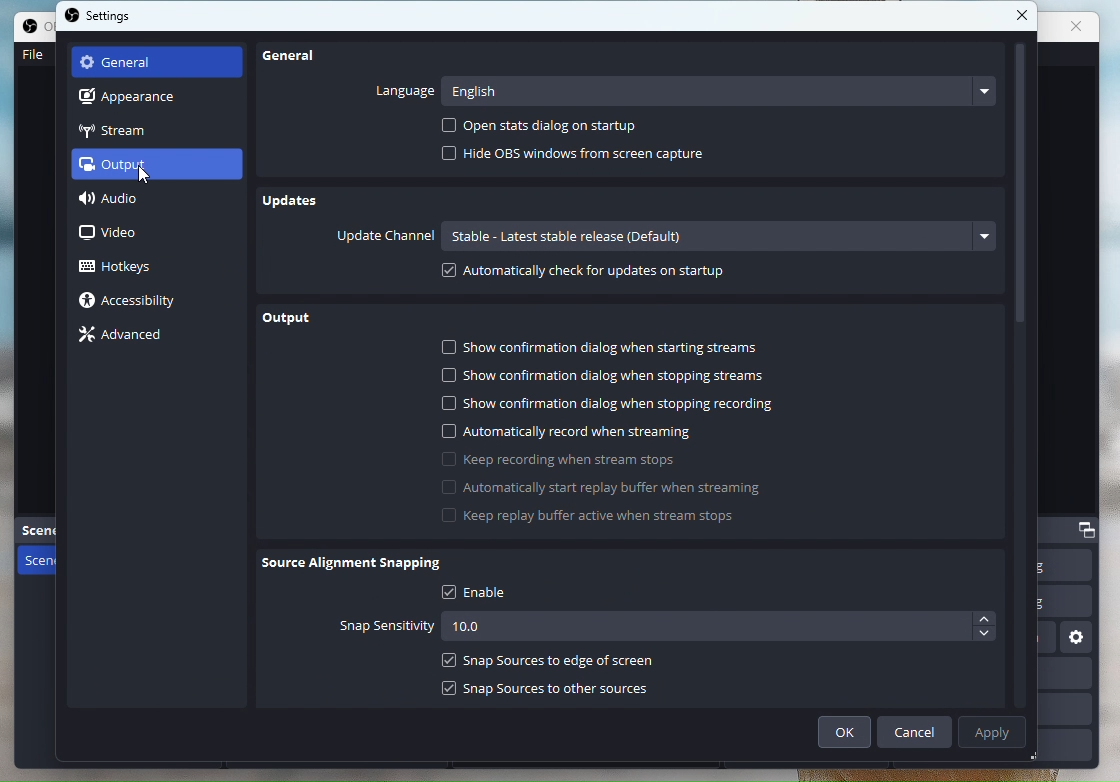 This screenshot has height=782, width=1120. What do you see at coordinates (288, 58) in the screenshot?
I see `General` at bounding box center [288, 58].